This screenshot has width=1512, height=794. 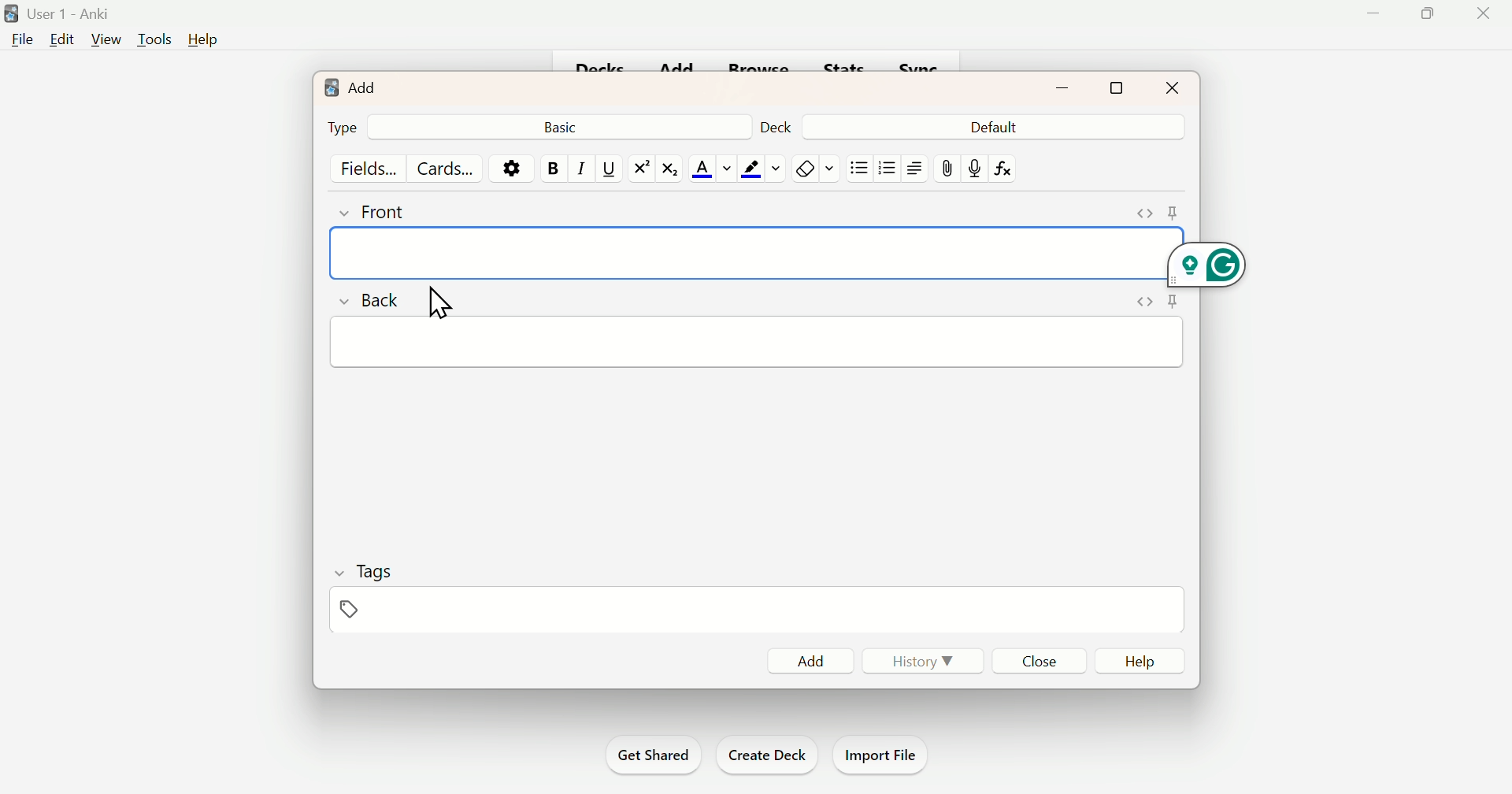 What do you see at coordinates (638, 169) in the screenshot?
I see `Superscript` at bounding box center [638, 169].